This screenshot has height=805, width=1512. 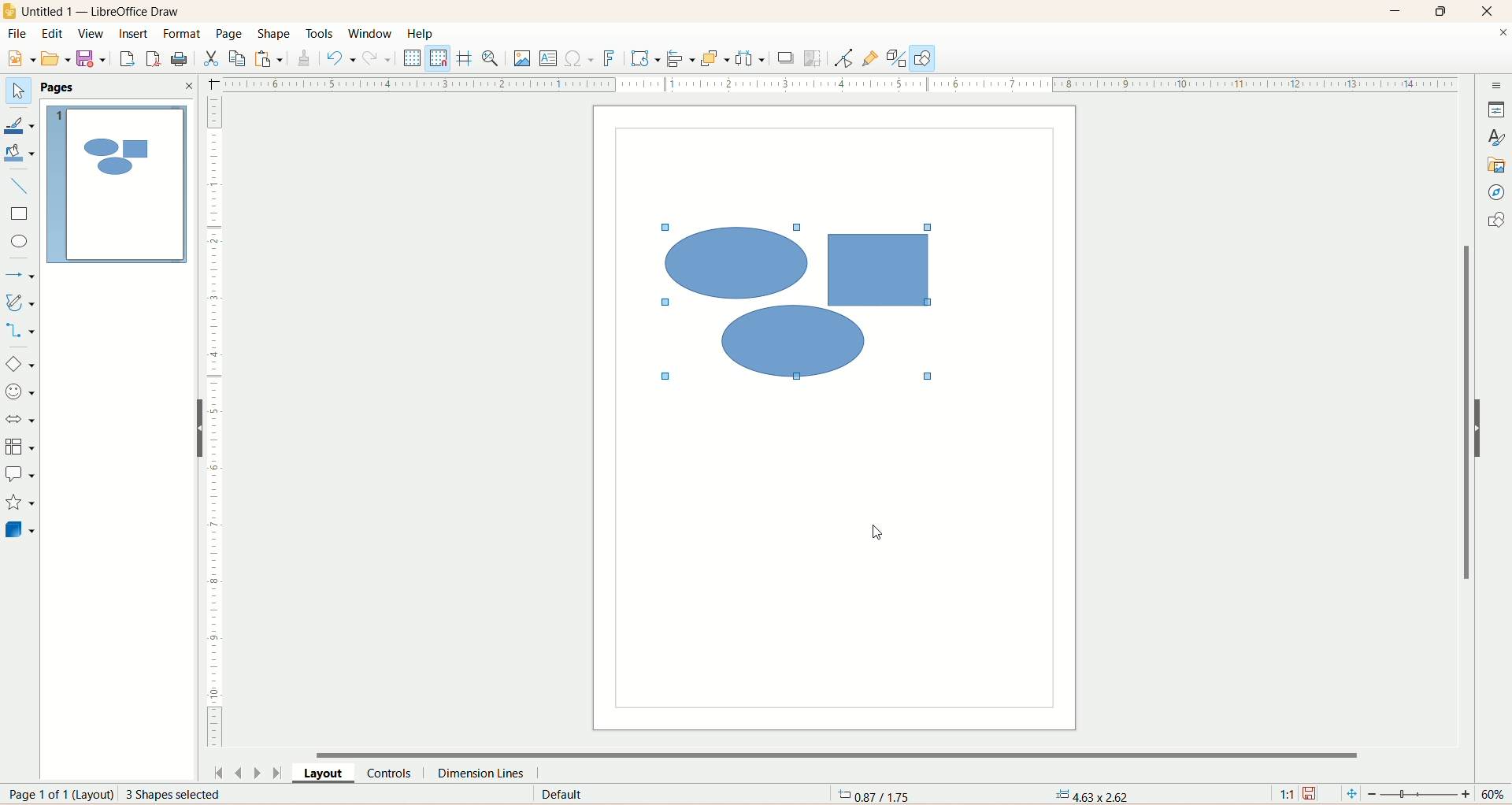 I want to click on pages, so click(x=63, y=86).